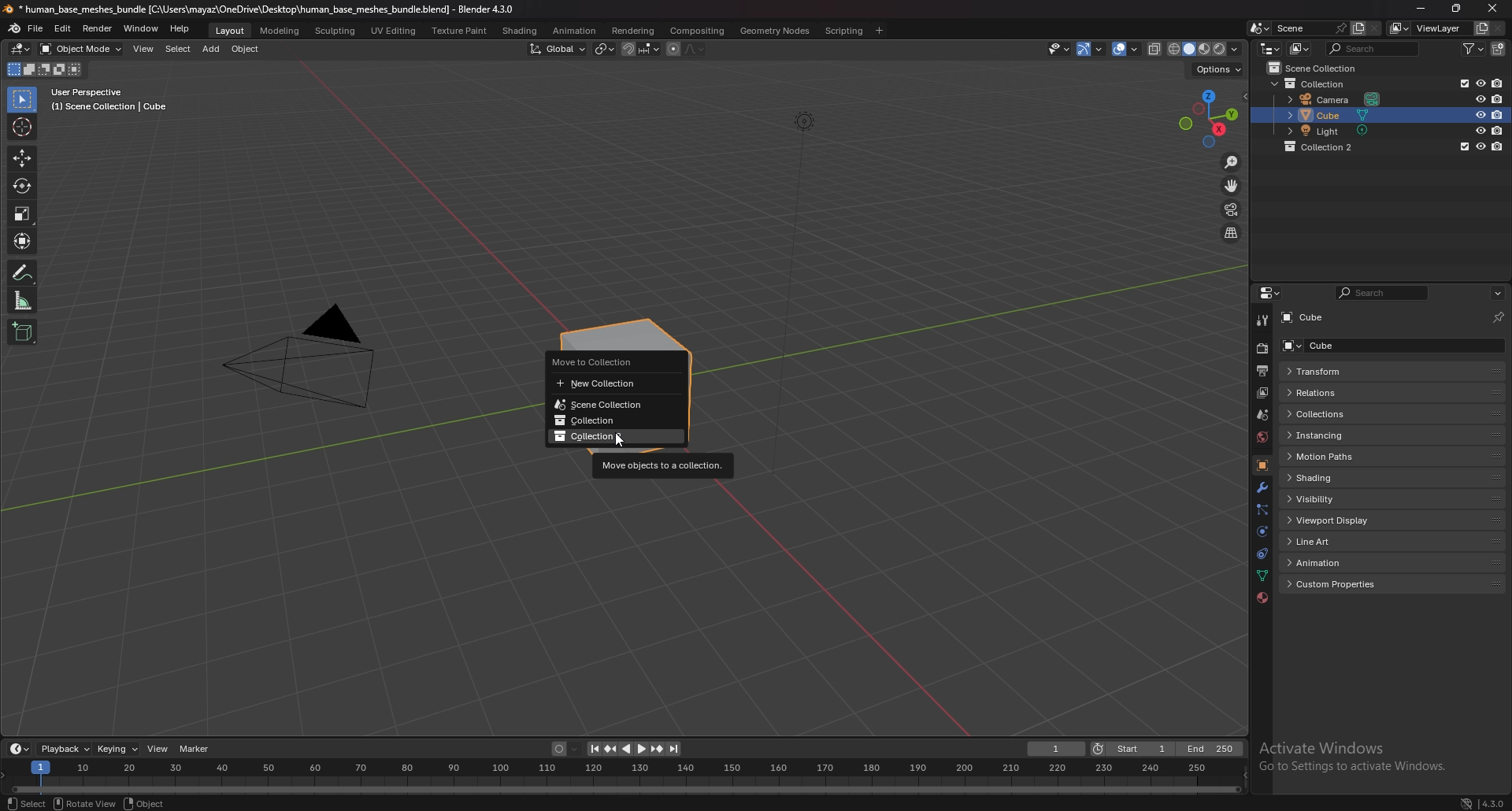 The image size is (1512, 811). I want to click on playback, so click(65, 749).